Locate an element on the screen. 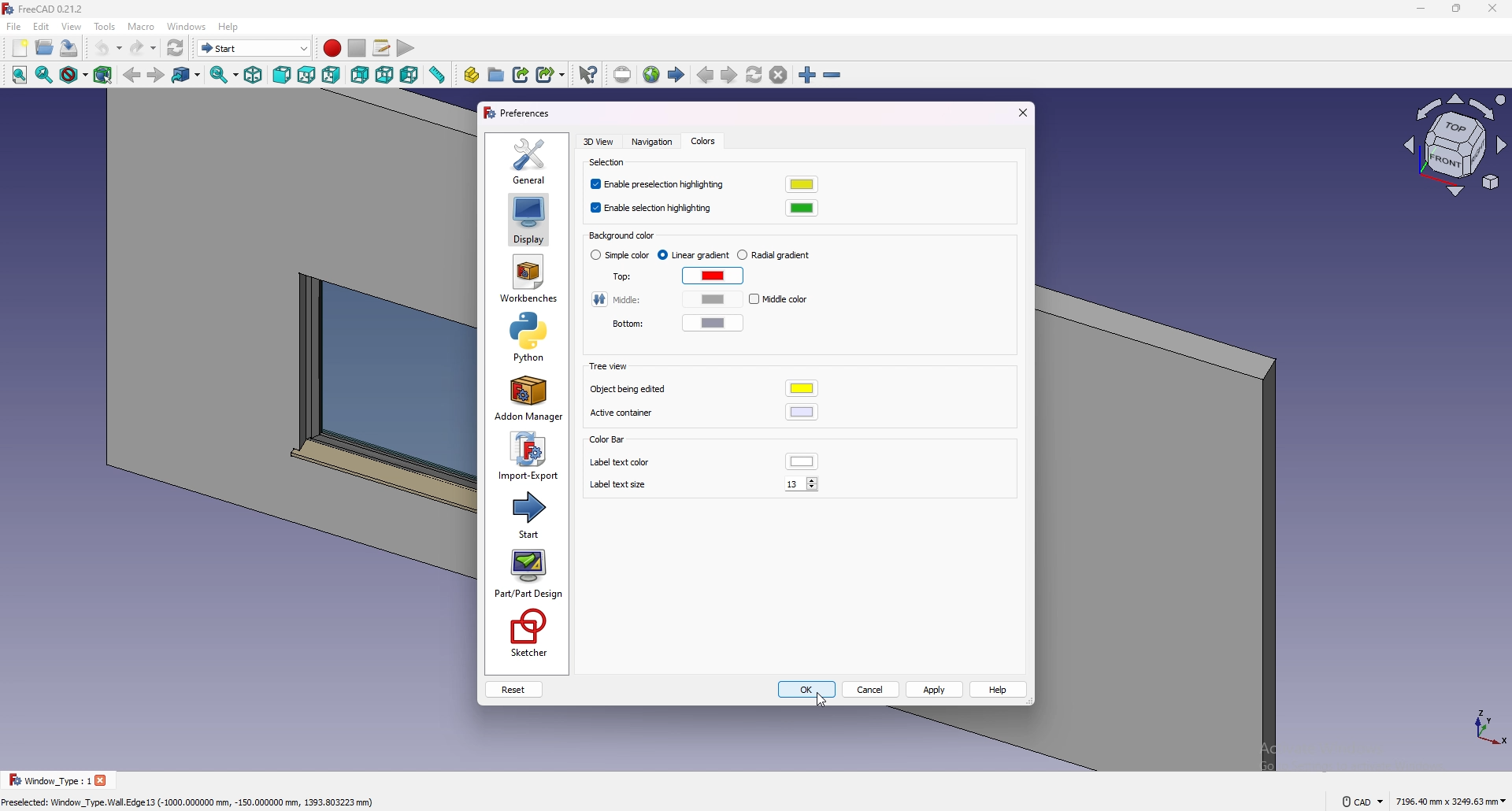 Image resolution: width=1512 pixels, height=811 pixels. preferences is located at coordinates (518, 113).